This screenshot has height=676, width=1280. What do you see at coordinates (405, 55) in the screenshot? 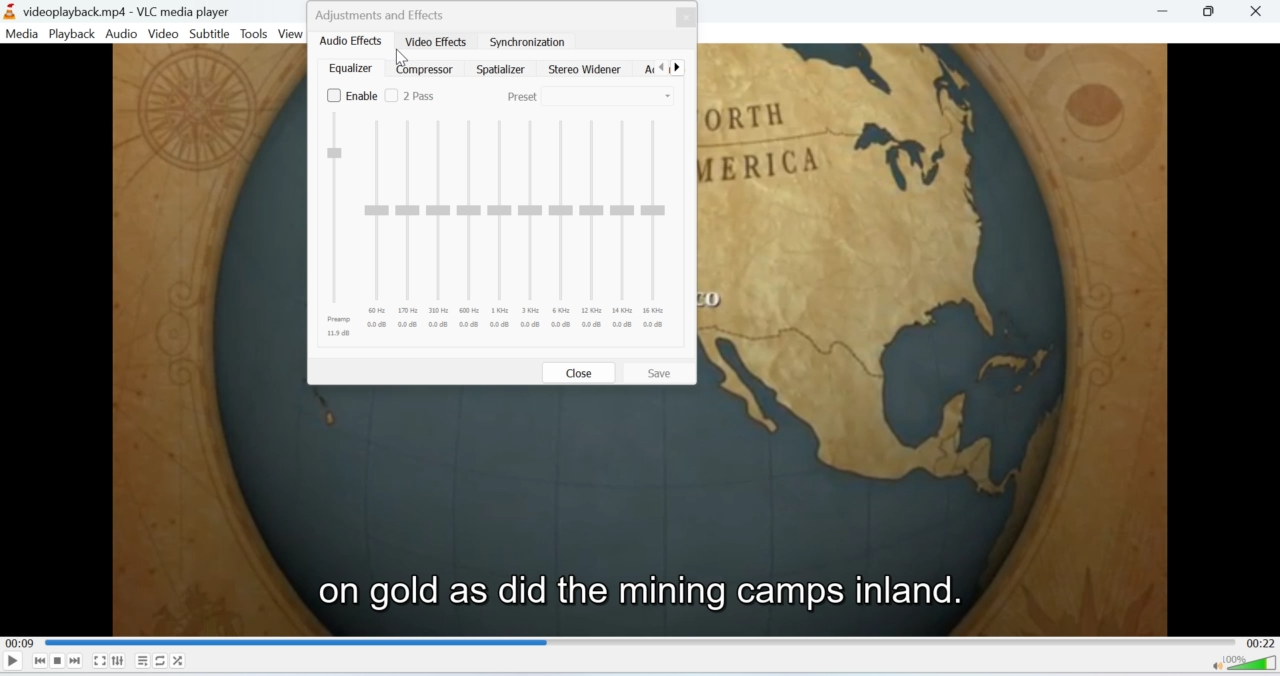
I see `Cursor on video effects` at bounding box center [405, 55].